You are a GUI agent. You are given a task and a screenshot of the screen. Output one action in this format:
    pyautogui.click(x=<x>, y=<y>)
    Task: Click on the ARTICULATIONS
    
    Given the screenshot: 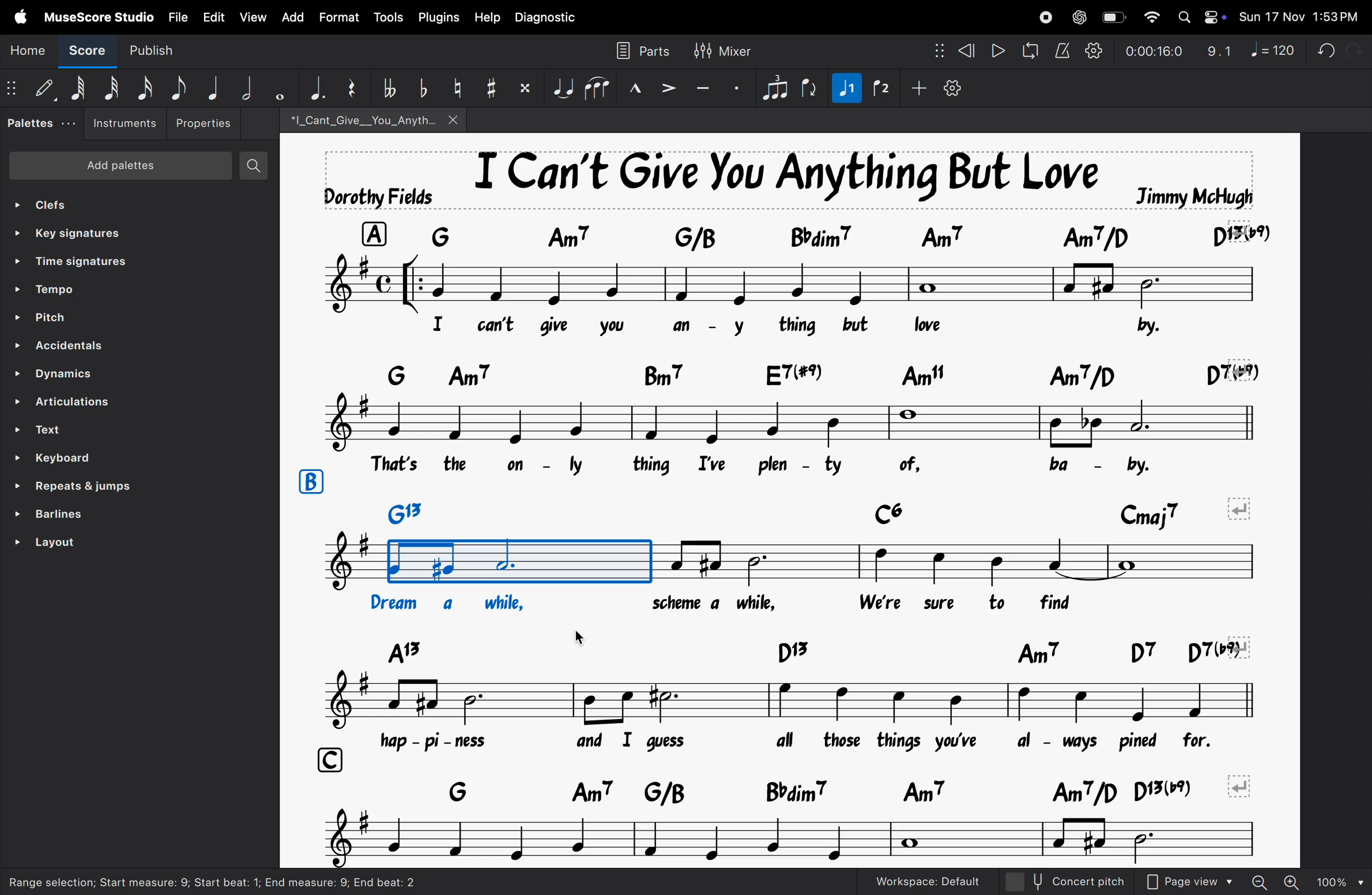 What is the action you would take?
    pyautogui.click(x=66, y=402)
    